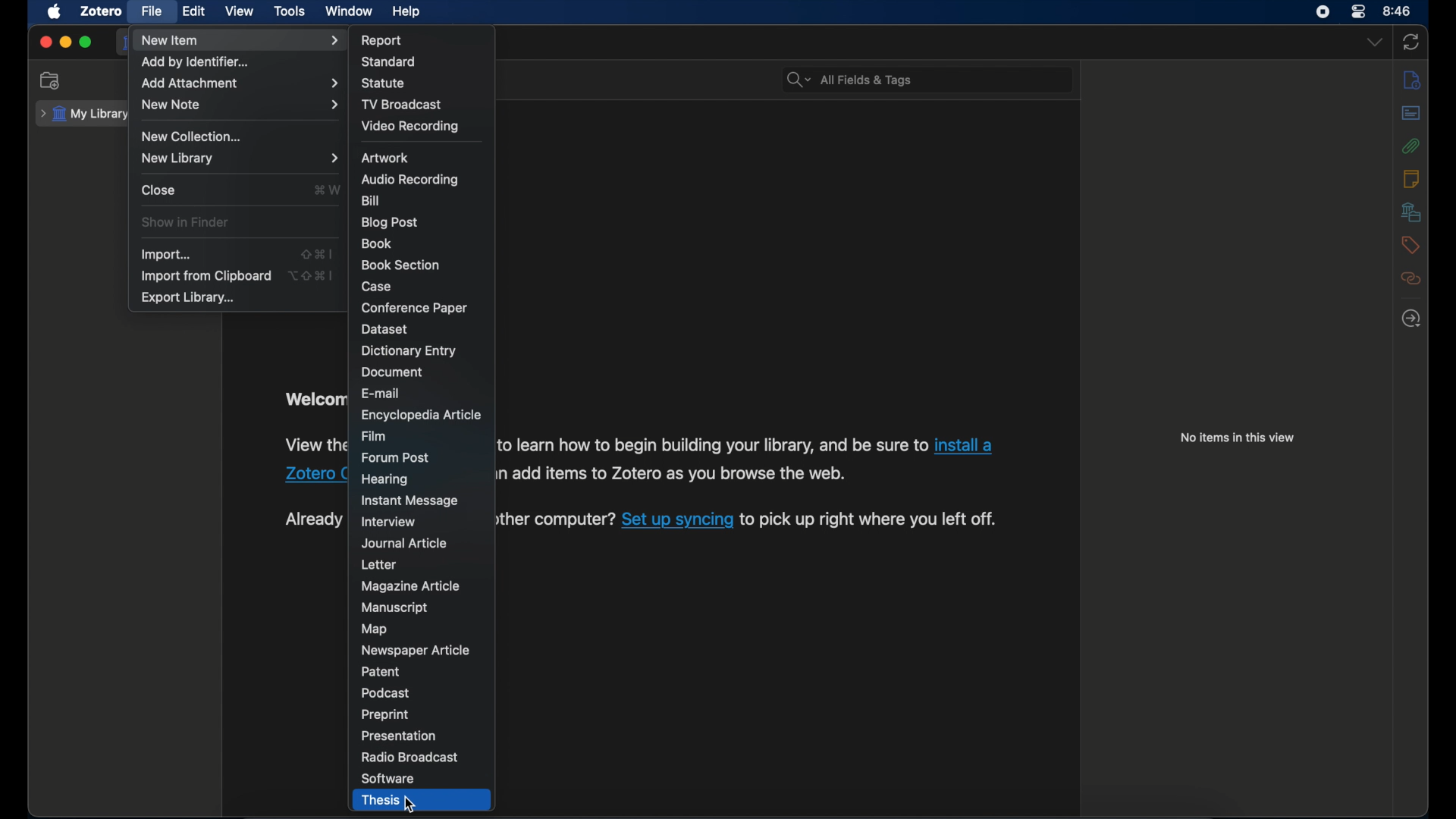  Describe the element at coordinates (1398, 11) in the screenshot. I see `8.46` at that location.